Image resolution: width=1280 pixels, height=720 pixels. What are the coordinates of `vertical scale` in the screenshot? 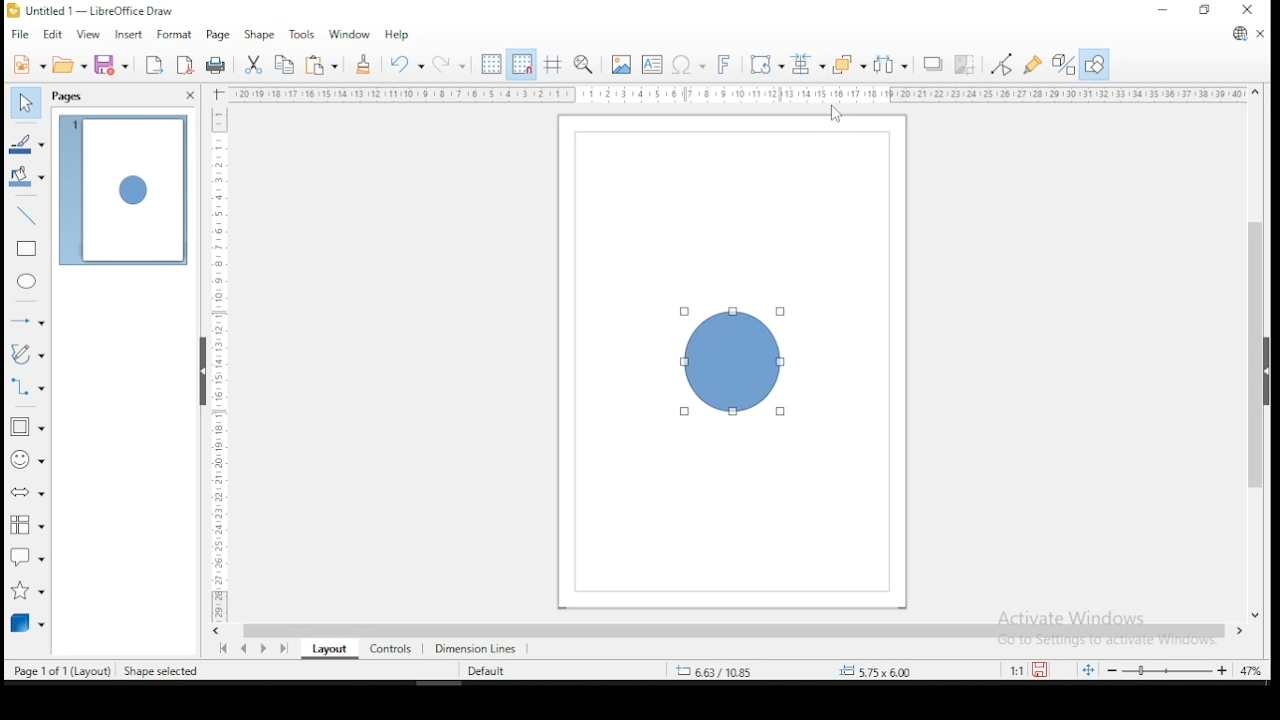 It's located at (215, 355).